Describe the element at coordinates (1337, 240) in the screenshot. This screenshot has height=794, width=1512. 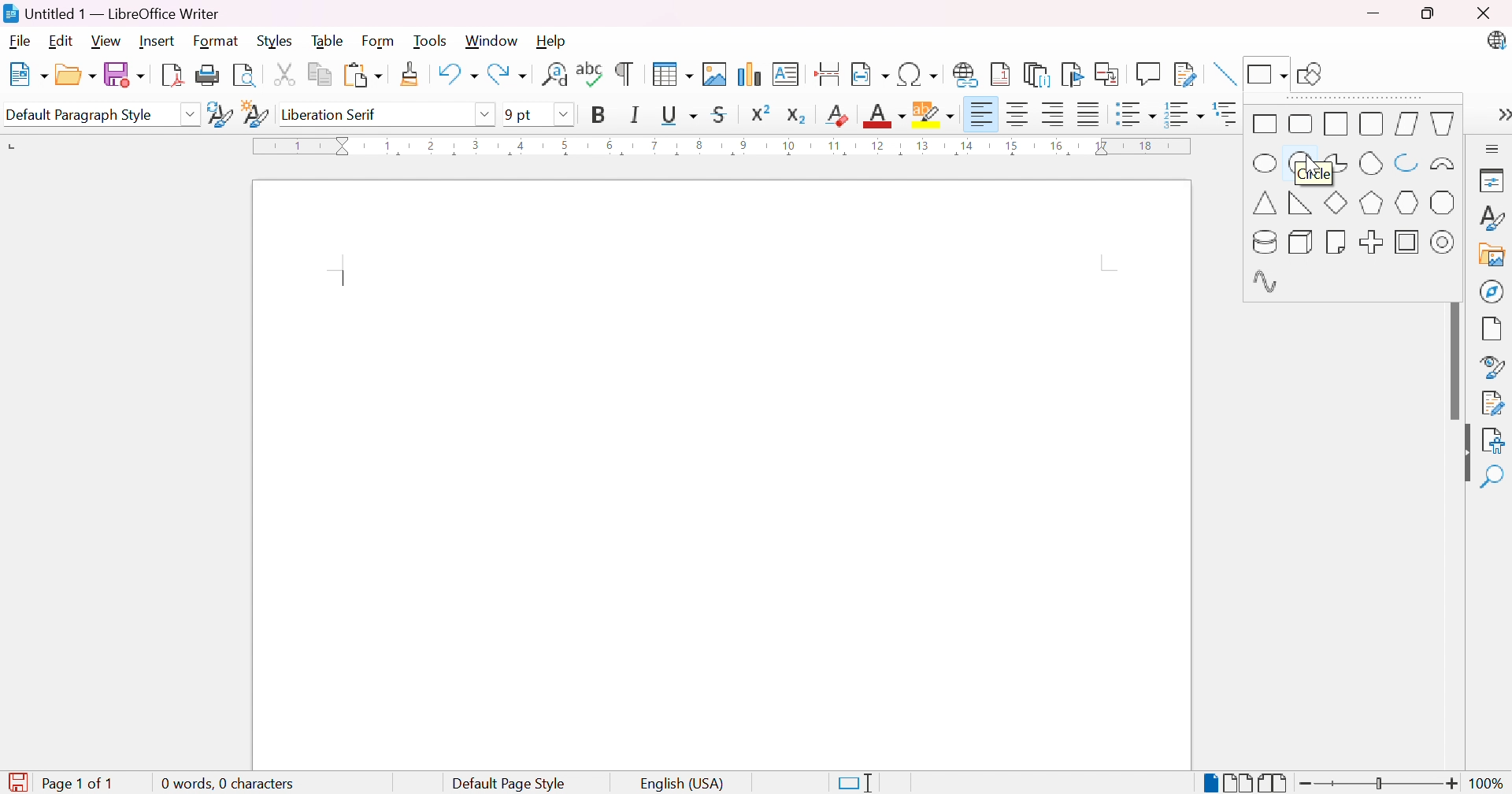
I see `Folded corner` at that location.